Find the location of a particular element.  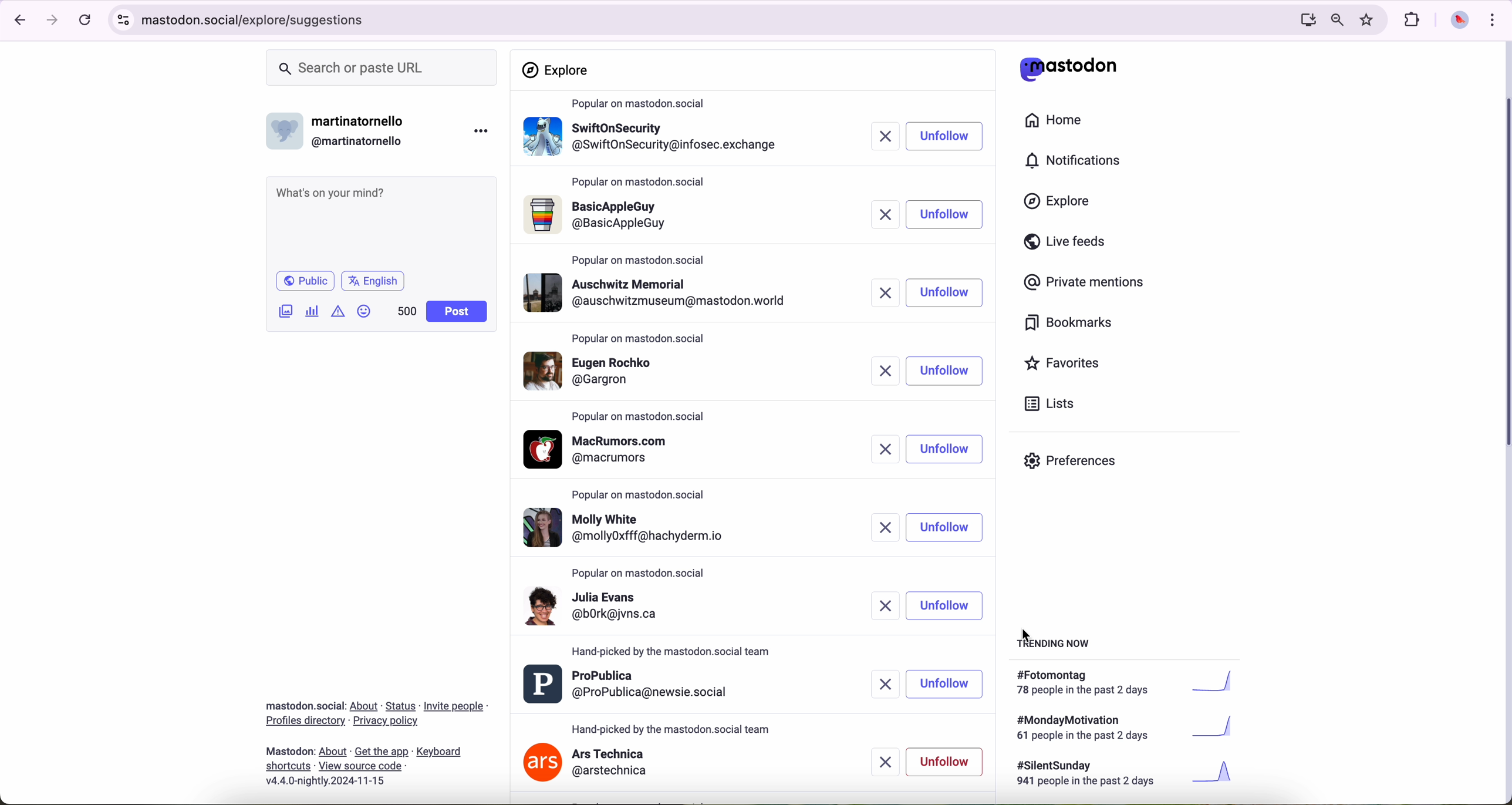

language is located at coordinates (373, 280).